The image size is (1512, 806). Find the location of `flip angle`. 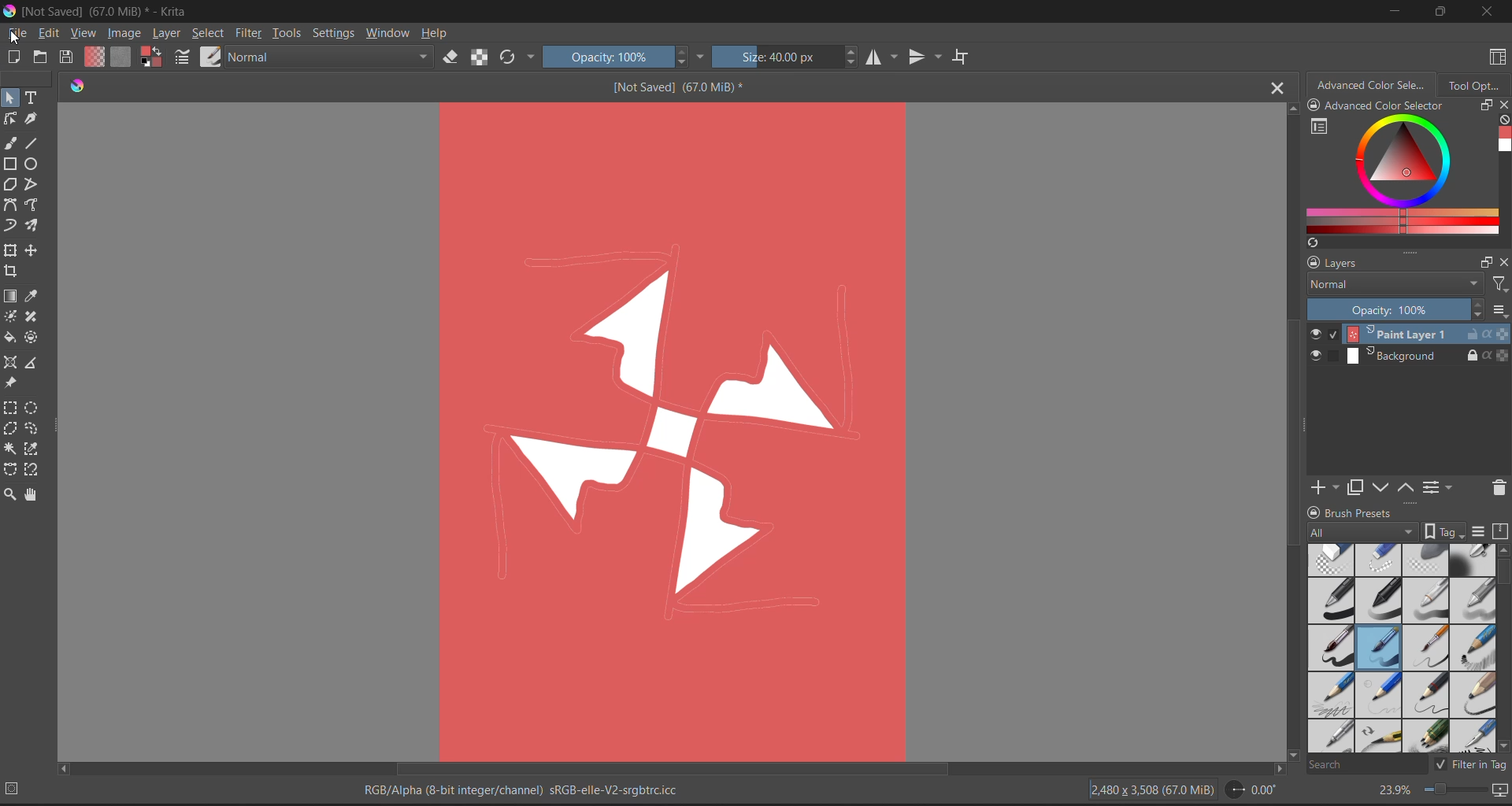

flip angle is located at coordinates (1251, 790).